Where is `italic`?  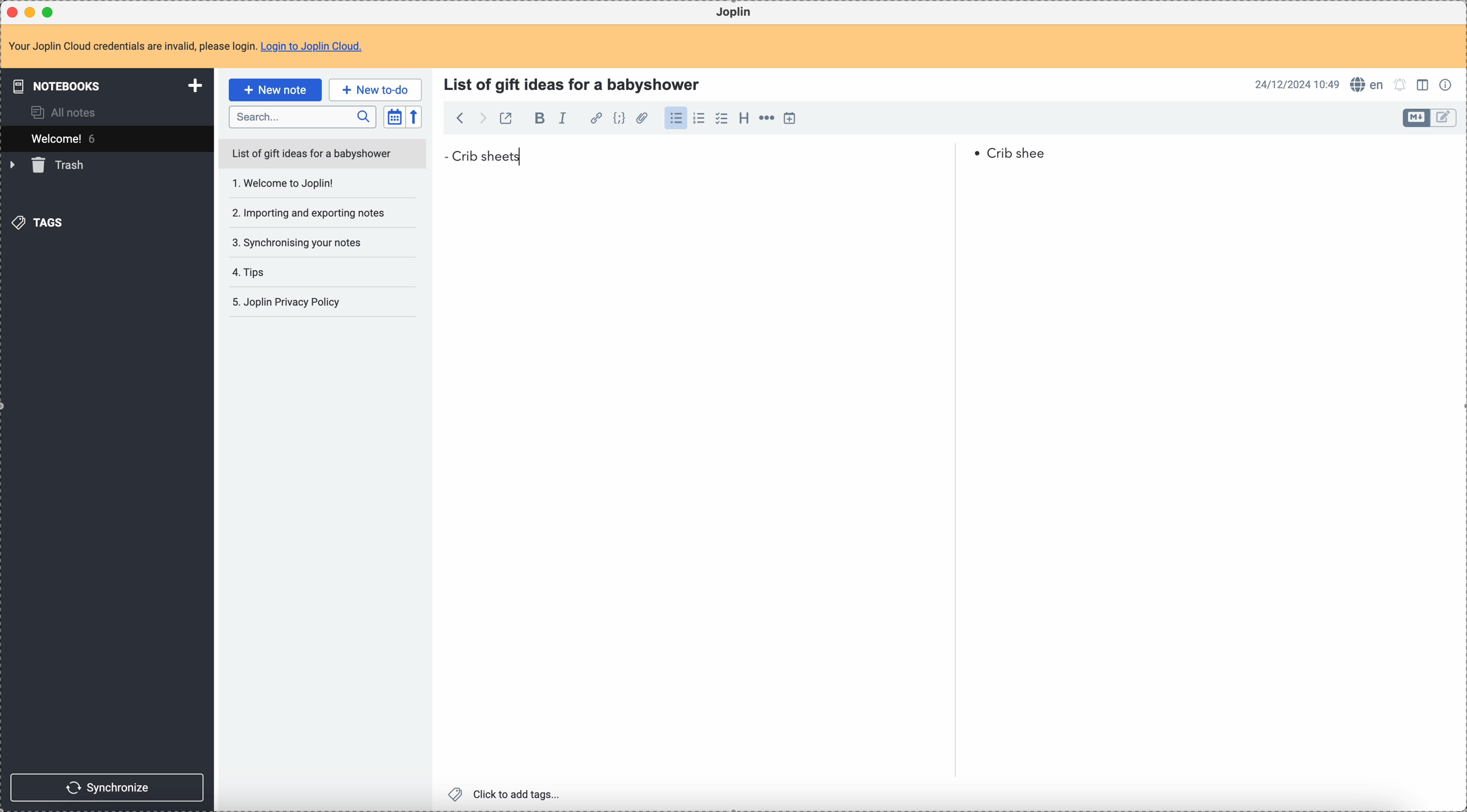 italic is located at coordinates (564, 119).